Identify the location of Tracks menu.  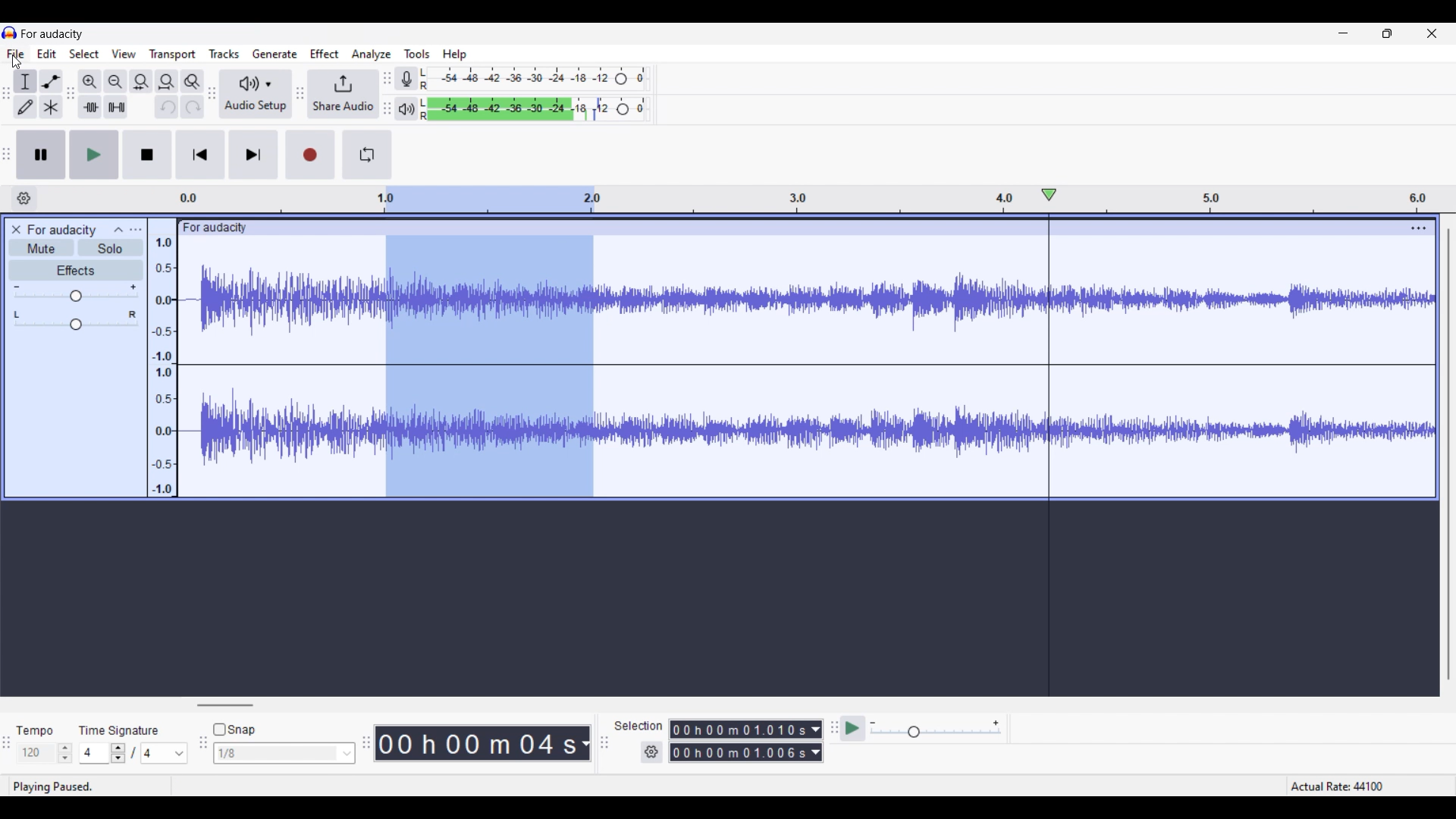
(224, 53).